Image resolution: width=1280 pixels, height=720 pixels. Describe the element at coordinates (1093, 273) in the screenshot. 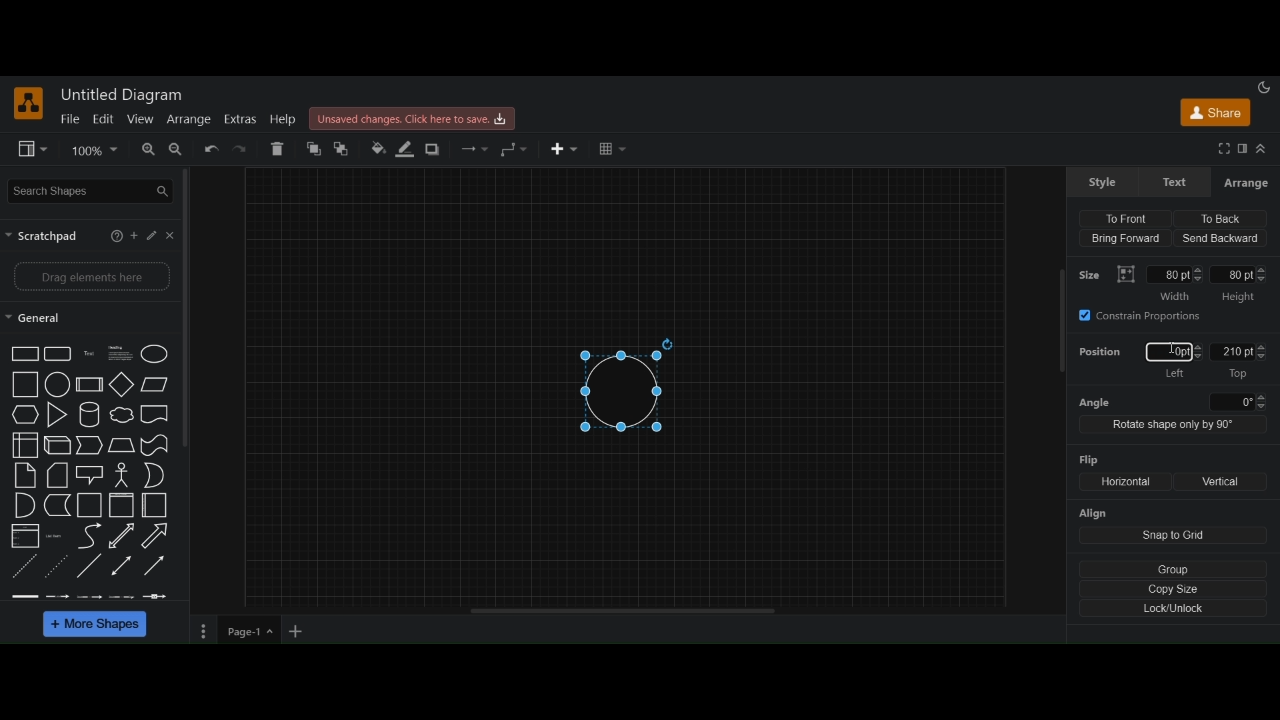

I see `size` at that location.